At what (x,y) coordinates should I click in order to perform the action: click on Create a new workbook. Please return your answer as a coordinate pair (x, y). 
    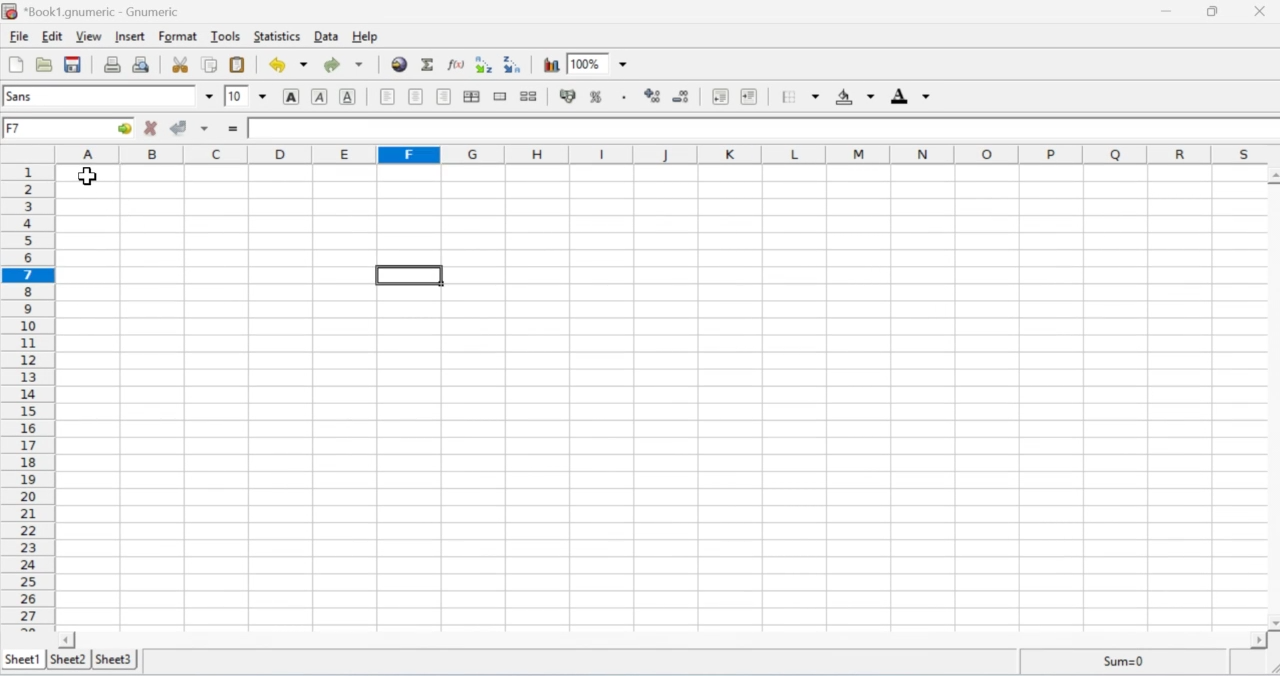
    Looking at the image, I should click on (14, 64).